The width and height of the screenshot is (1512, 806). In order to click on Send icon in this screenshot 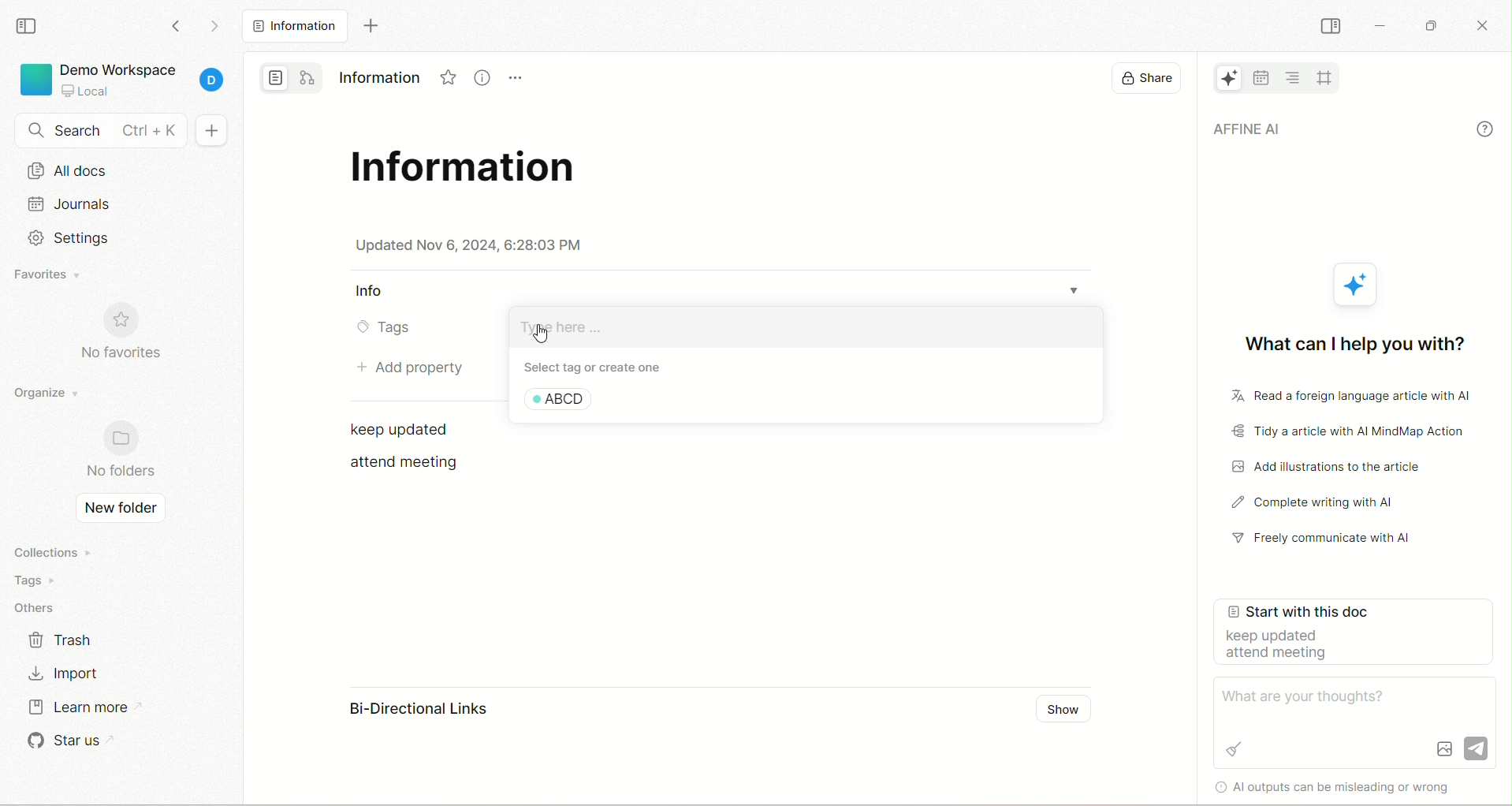, I will do `click(1477, 745)`.